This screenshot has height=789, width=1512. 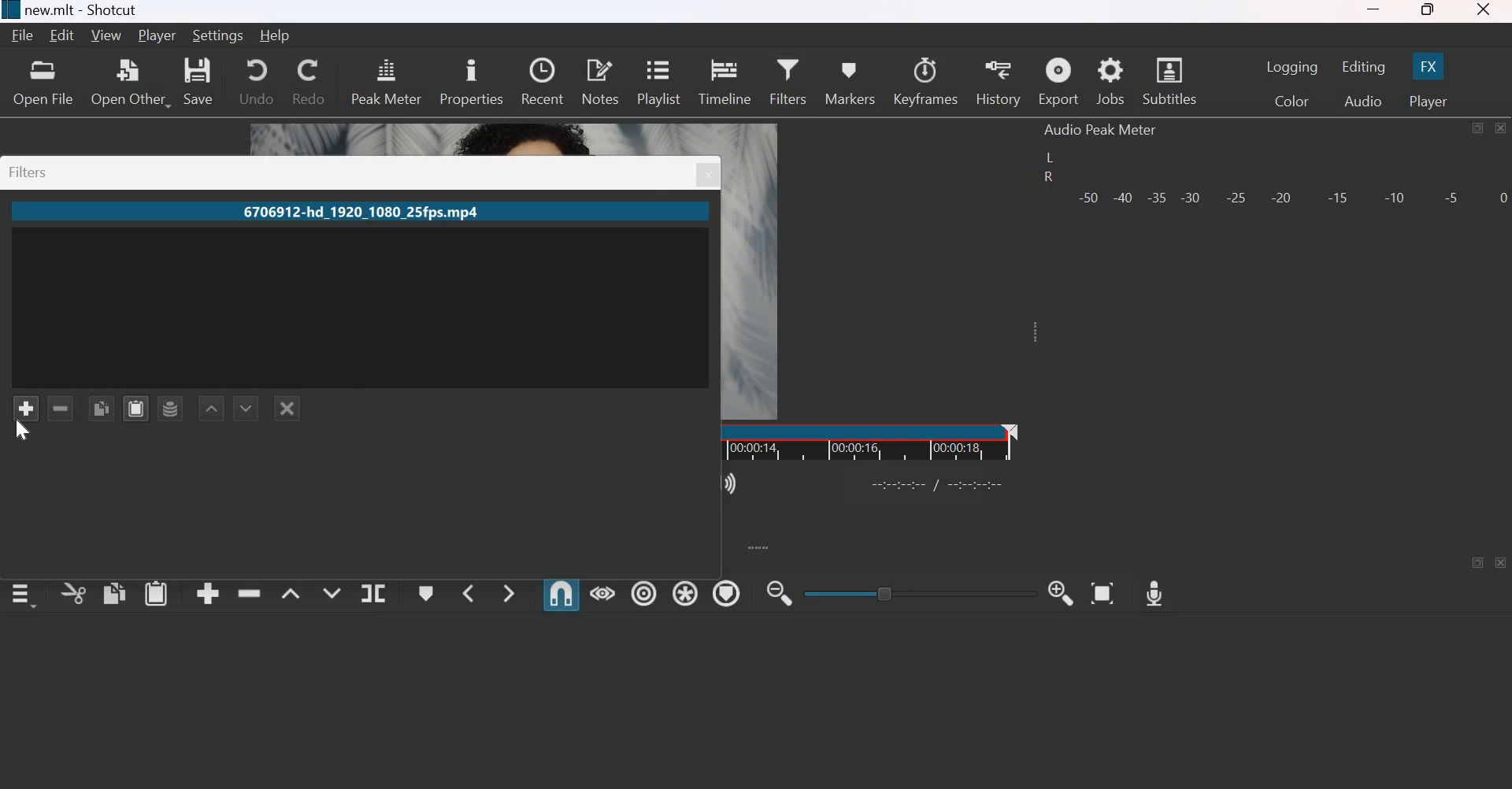 I want to click on peak meter, so click(x=387, y=80).